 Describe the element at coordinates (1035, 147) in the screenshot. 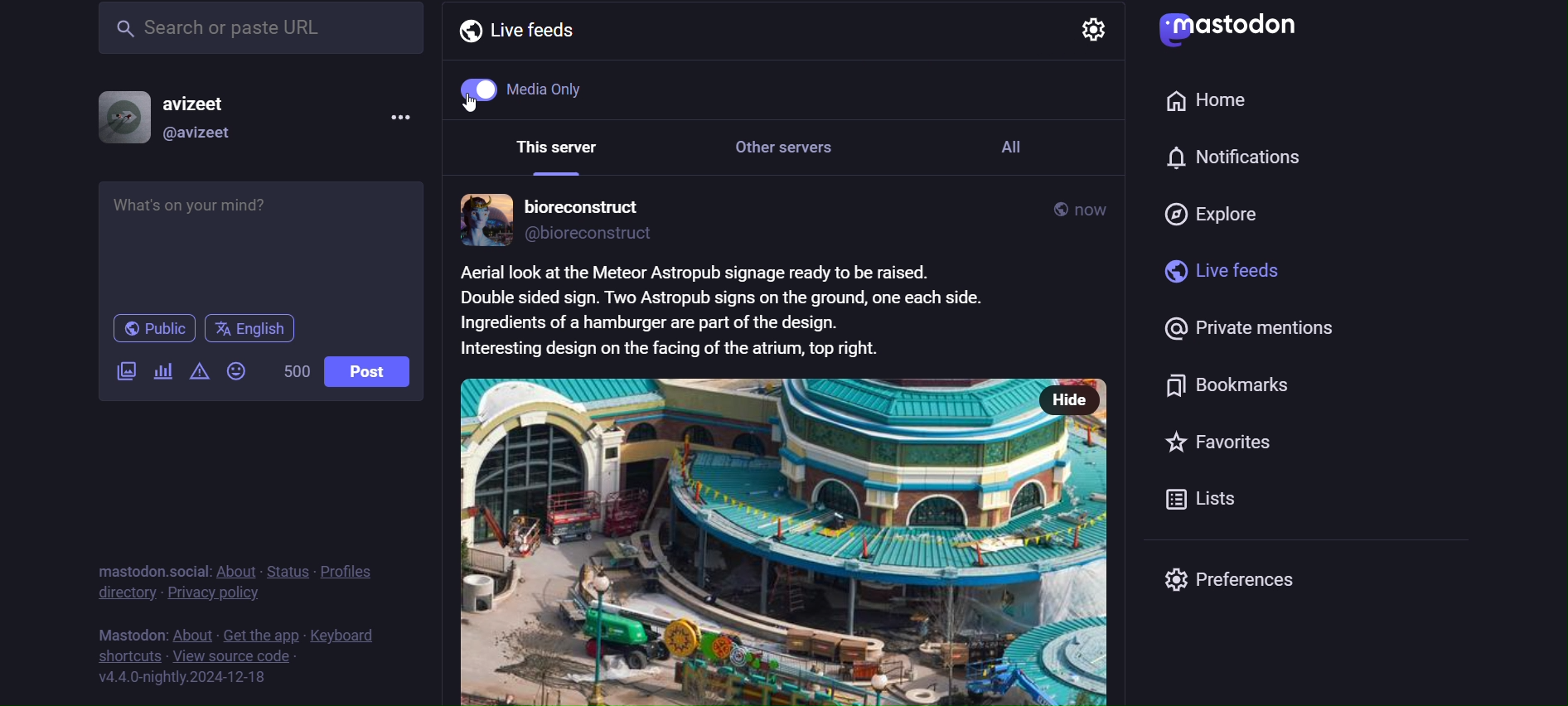

I see `All` at that location.